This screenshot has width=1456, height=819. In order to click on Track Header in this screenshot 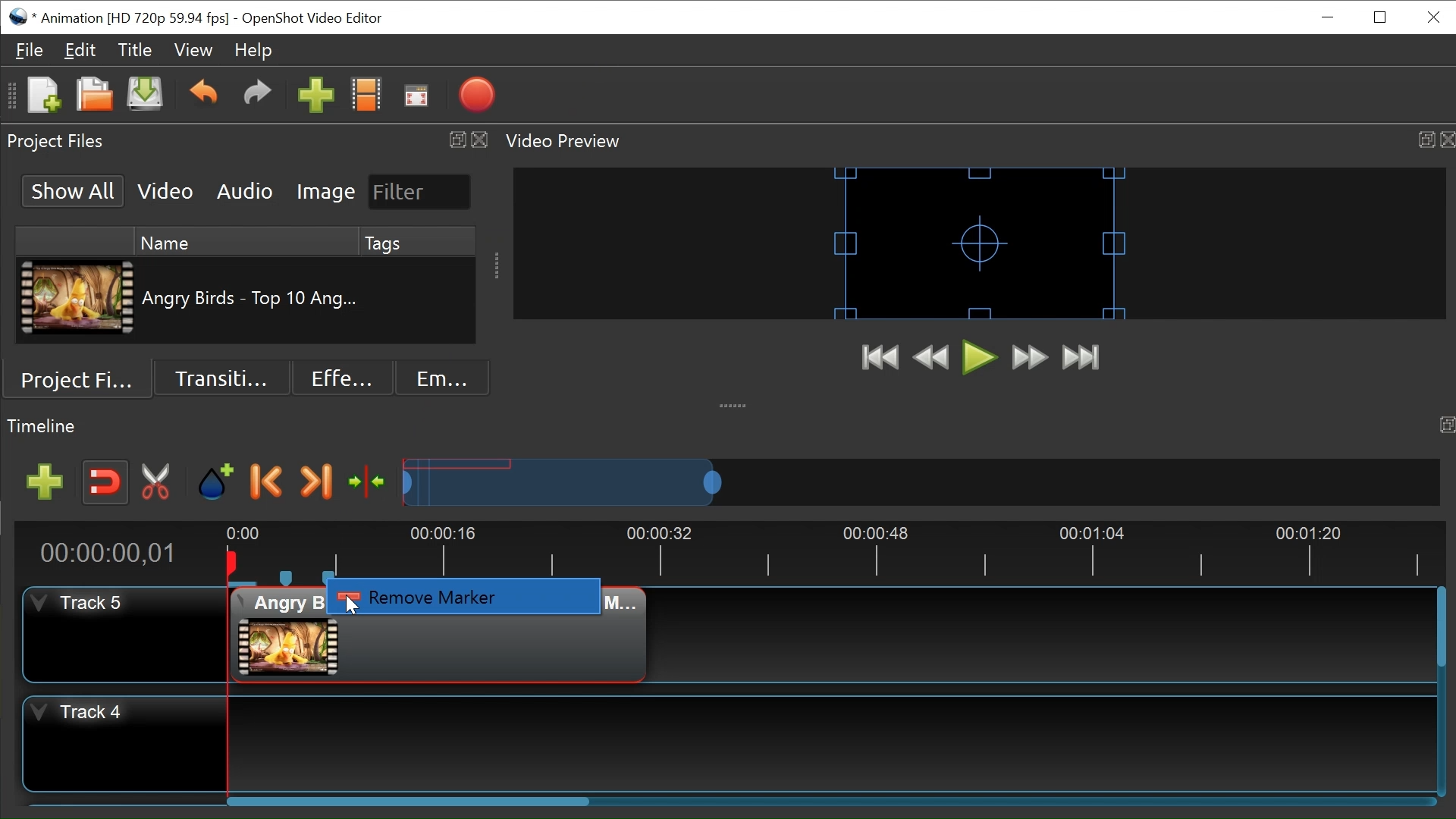, I will do `click(124, 742)`.